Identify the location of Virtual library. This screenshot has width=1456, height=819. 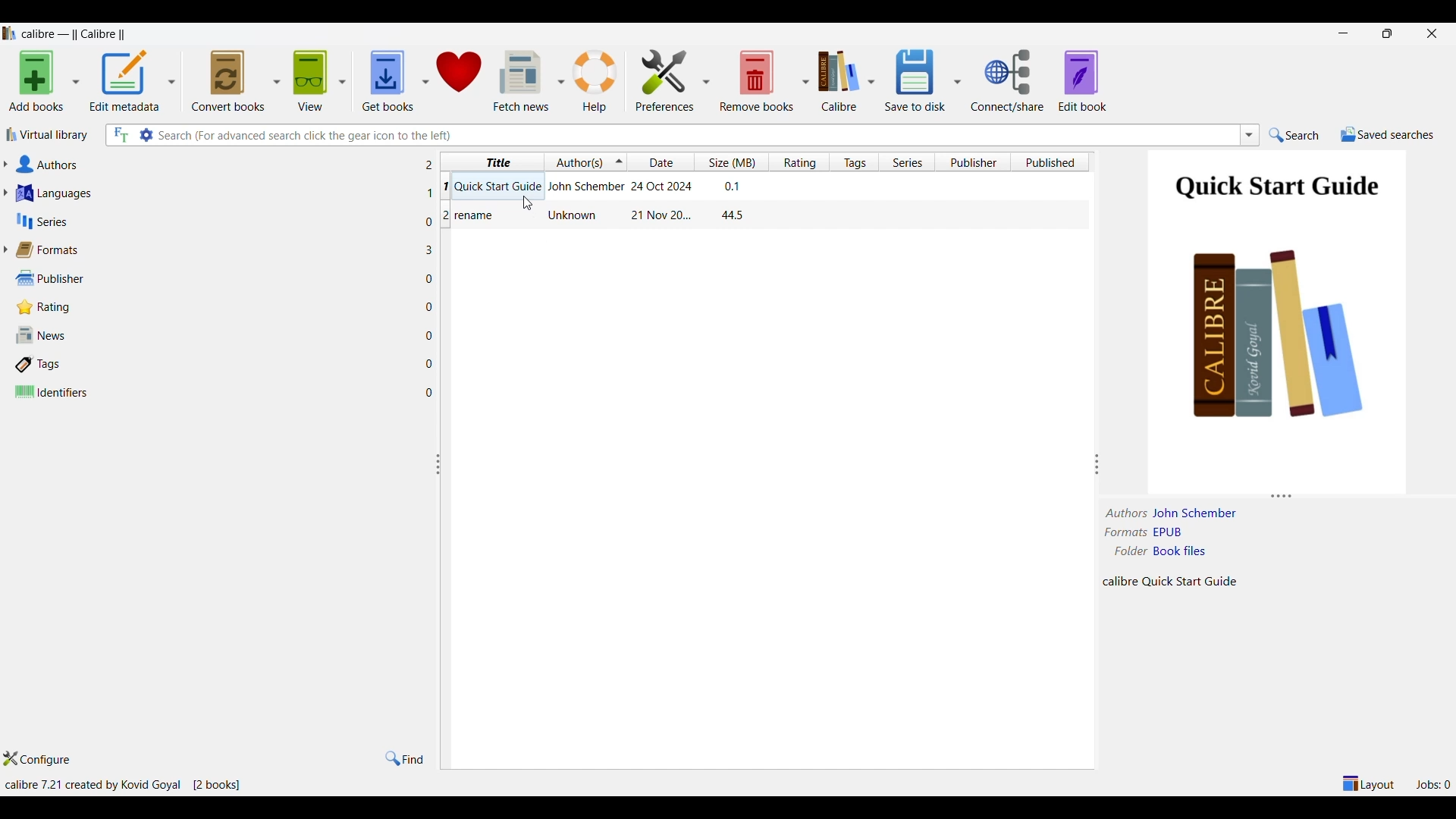
(45, 135).